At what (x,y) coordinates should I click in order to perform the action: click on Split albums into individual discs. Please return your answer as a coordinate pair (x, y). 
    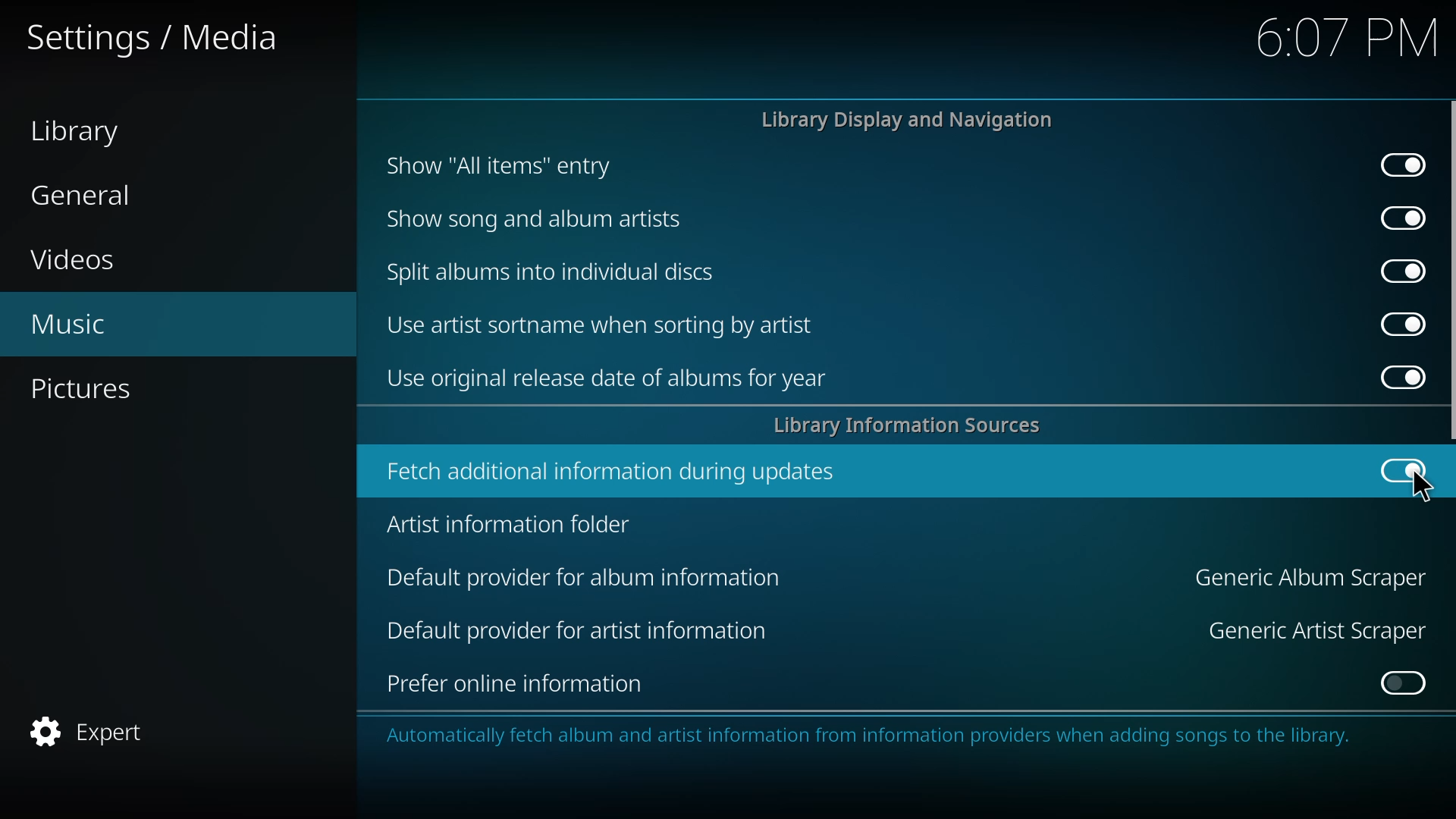
    Looking at the image, I should click on (550, 271).